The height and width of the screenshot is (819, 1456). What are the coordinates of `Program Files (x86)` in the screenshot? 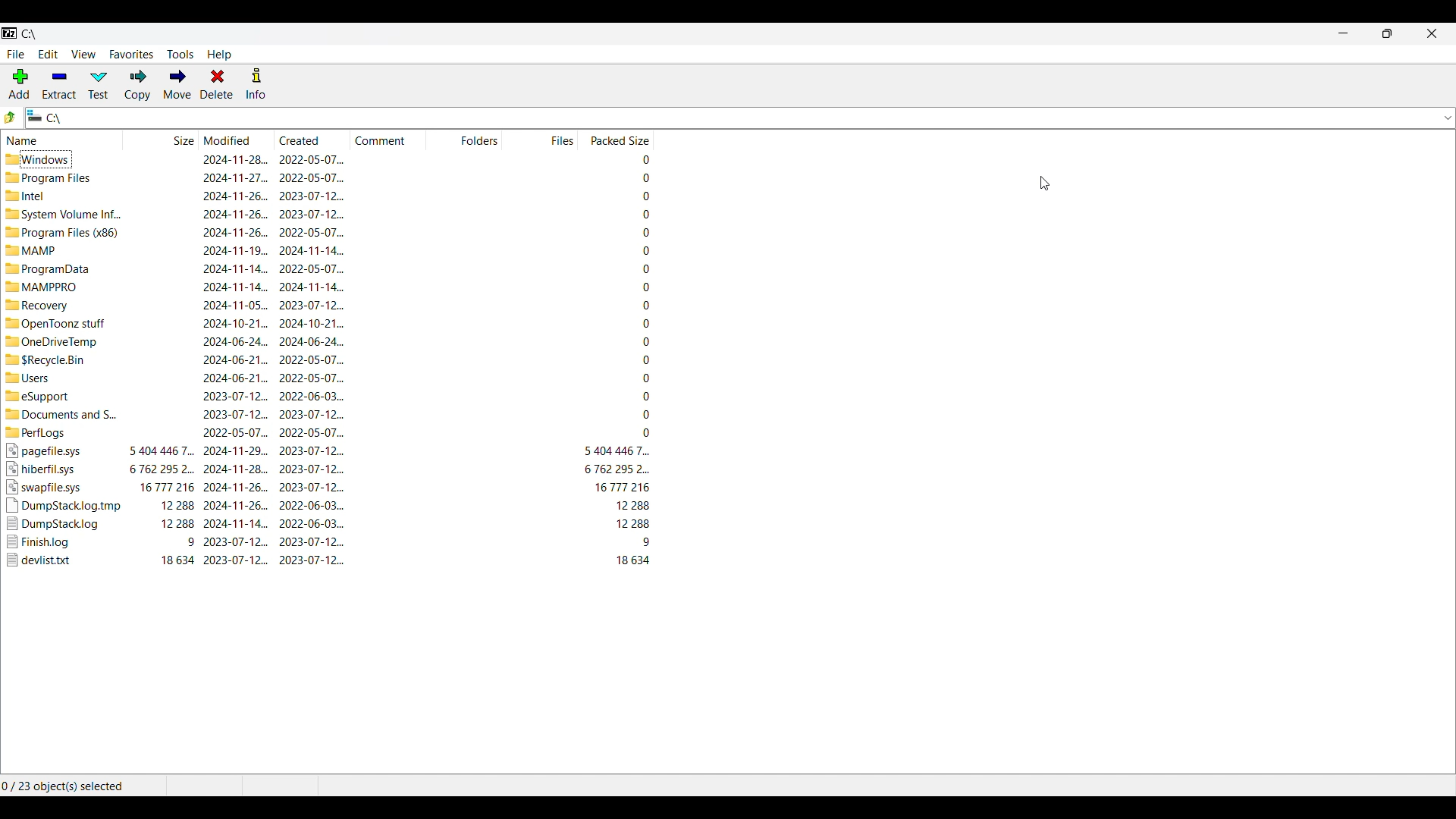 It's located at (61, 231).